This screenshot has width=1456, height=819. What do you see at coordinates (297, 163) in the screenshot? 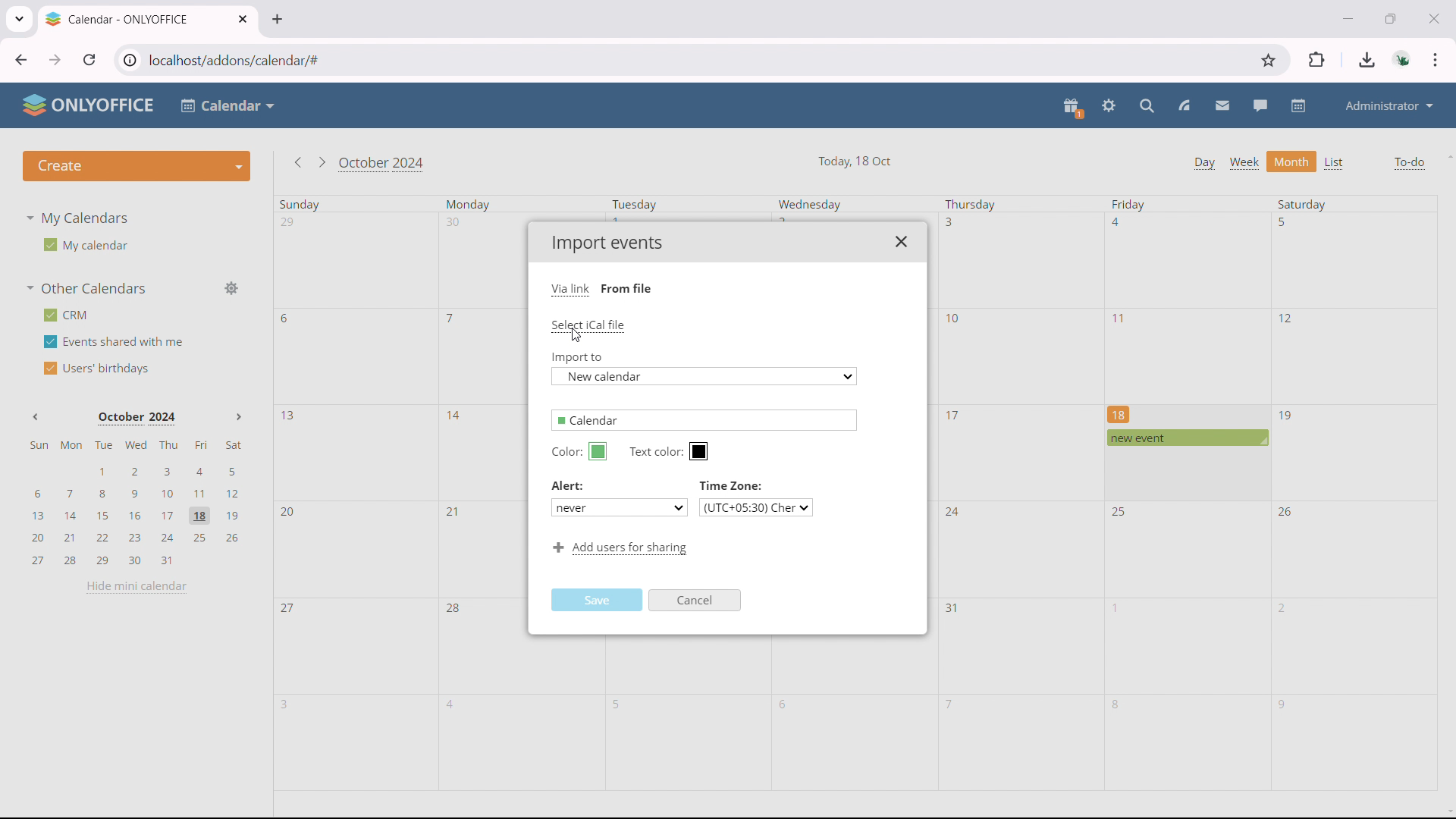
I see `go to previous month` at bounding box center [297, 163].